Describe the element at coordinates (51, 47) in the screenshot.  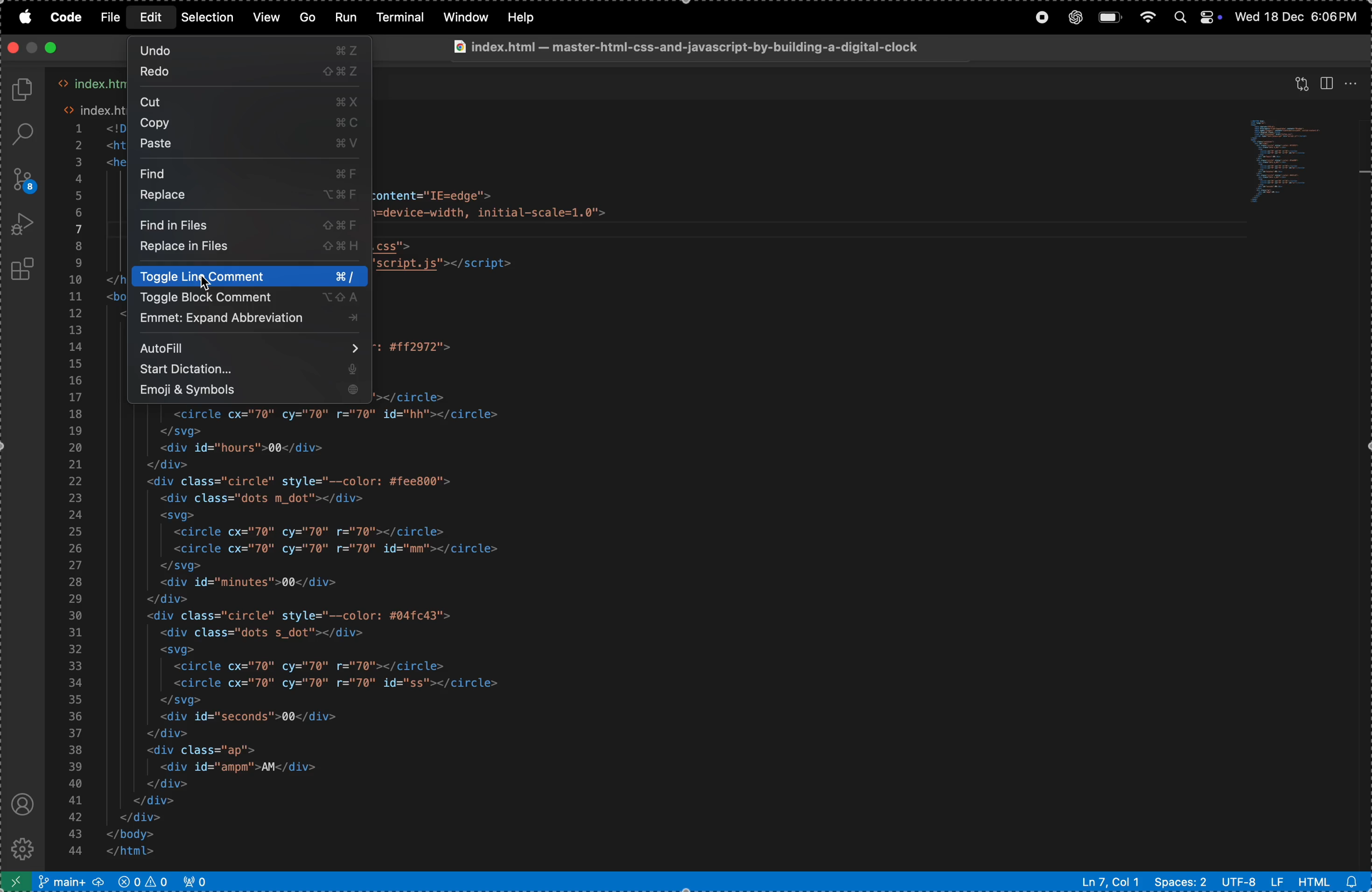
I see `close` at that location.